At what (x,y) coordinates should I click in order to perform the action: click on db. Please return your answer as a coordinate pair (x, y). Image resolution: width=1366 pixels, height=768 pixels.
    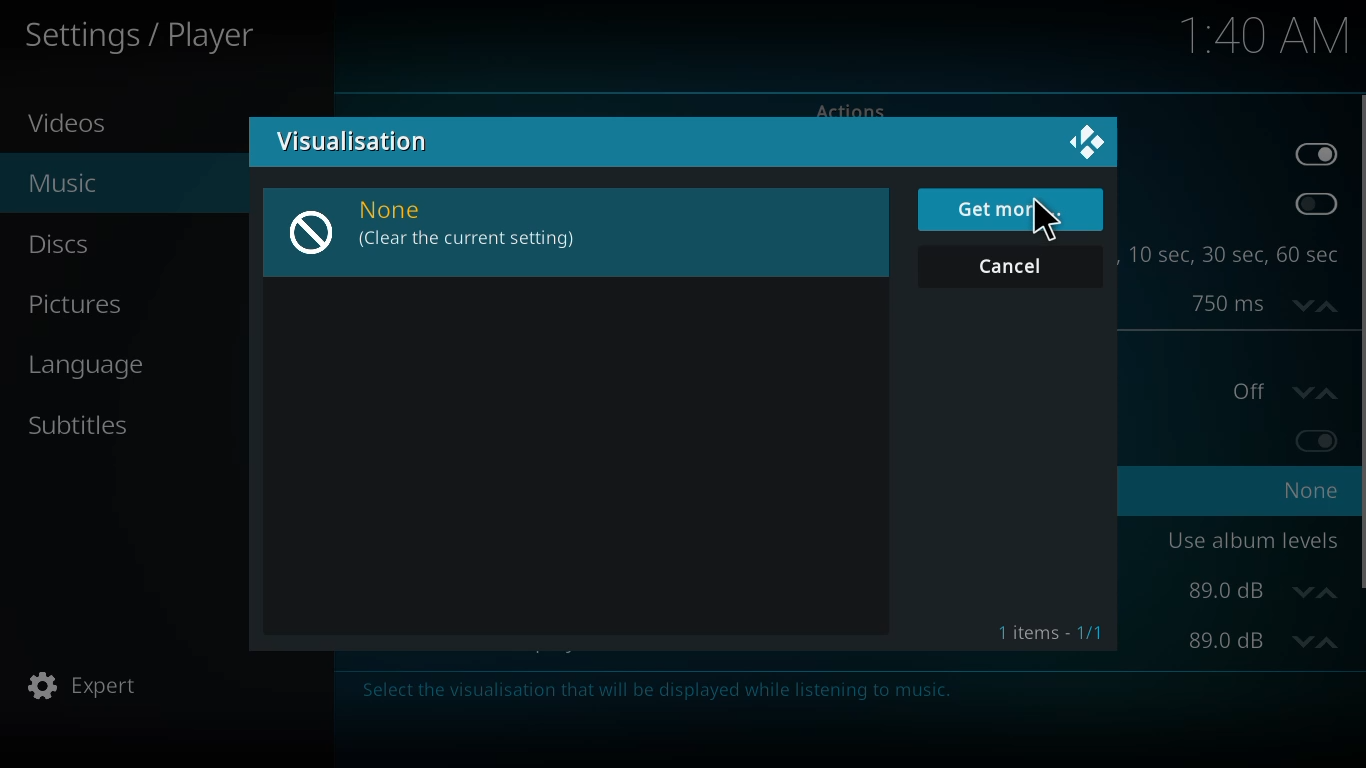
    Looking at the image, I should click on (1263, 641).